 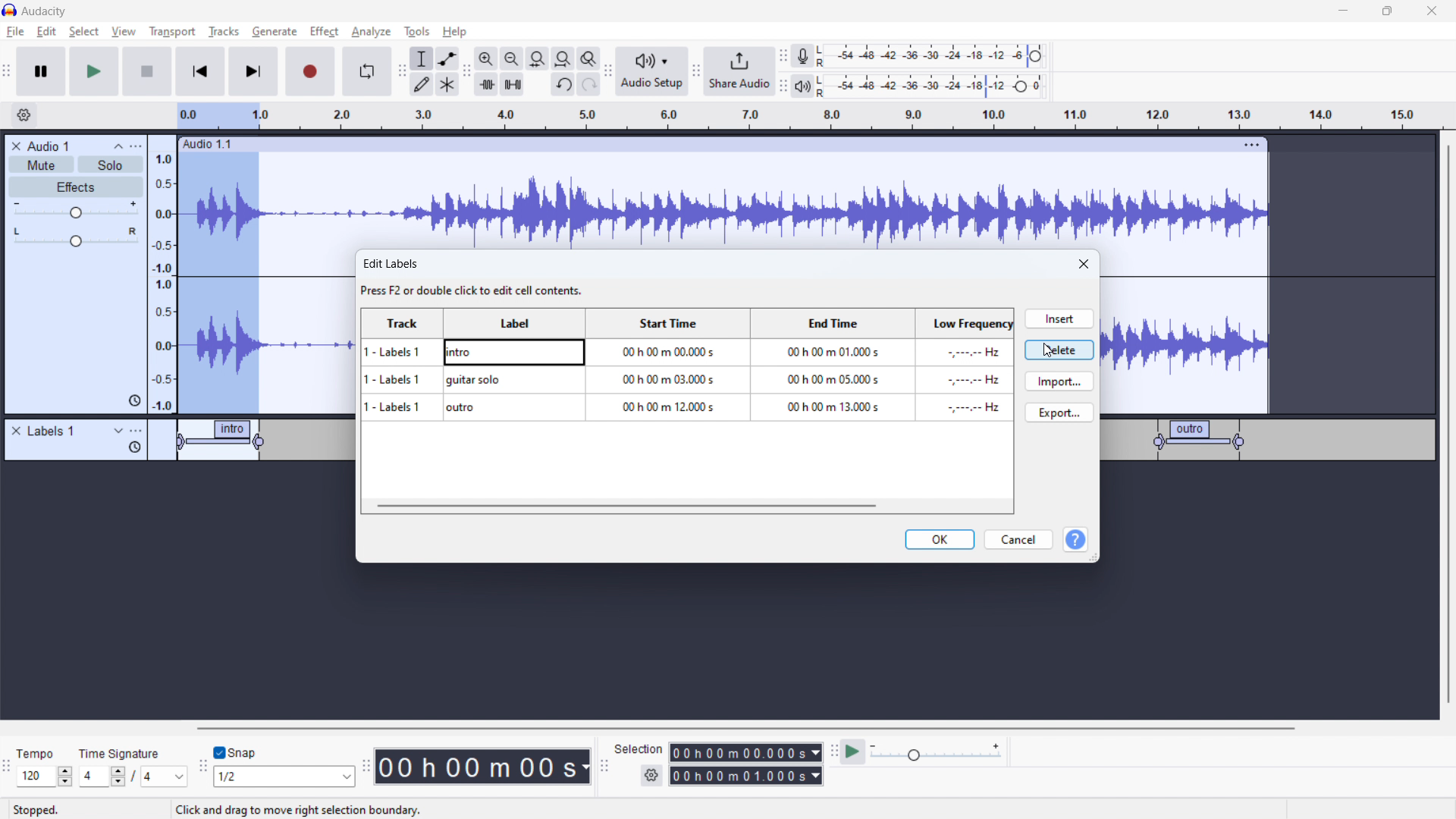 What do you see at coordinates (136, 447) in the screenshot?
I see `history` at bounding box center [136, 447].